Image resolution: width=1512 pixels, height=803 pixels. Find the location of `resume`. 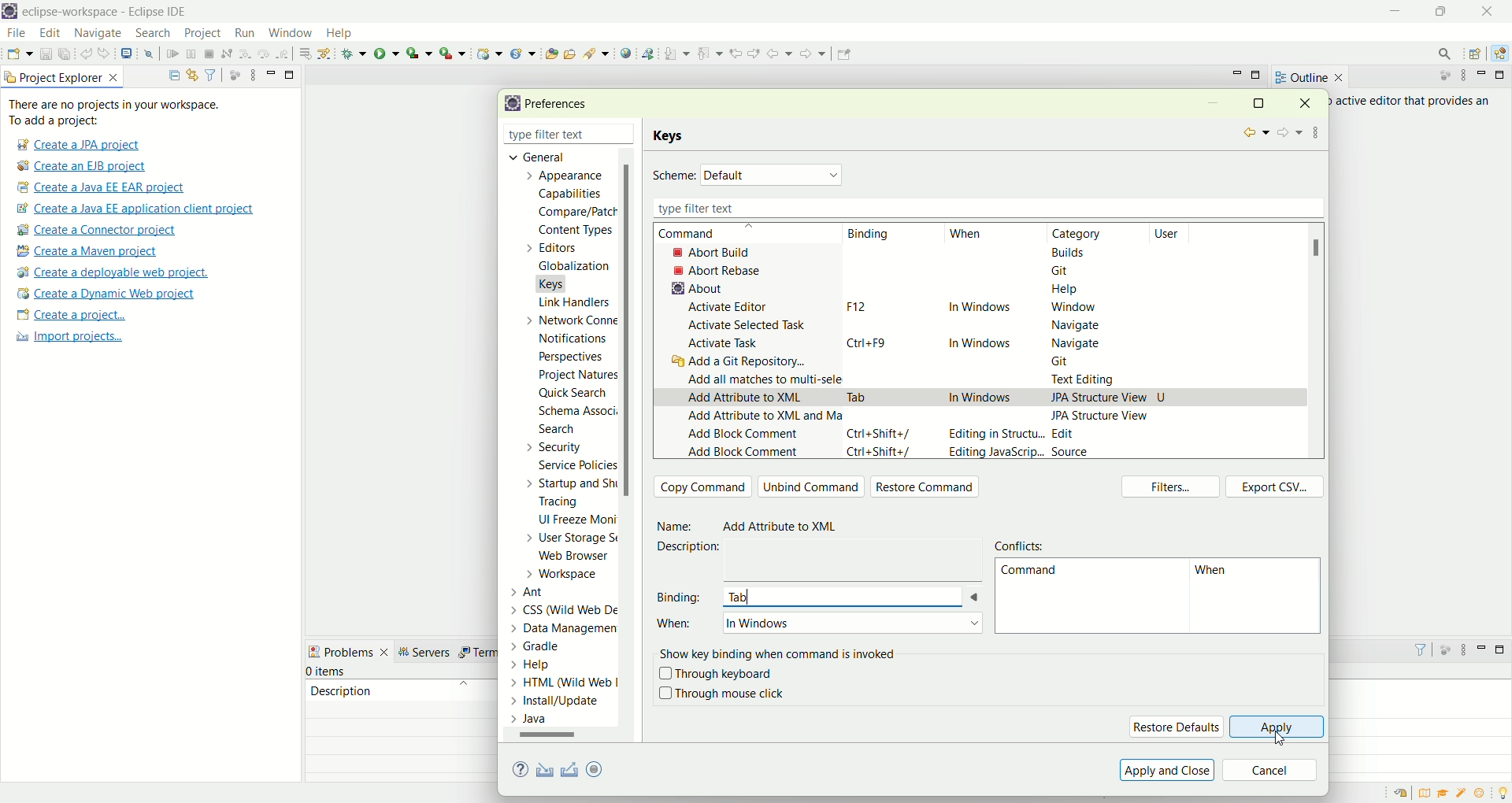

resume is located at coordinates (173, 55).